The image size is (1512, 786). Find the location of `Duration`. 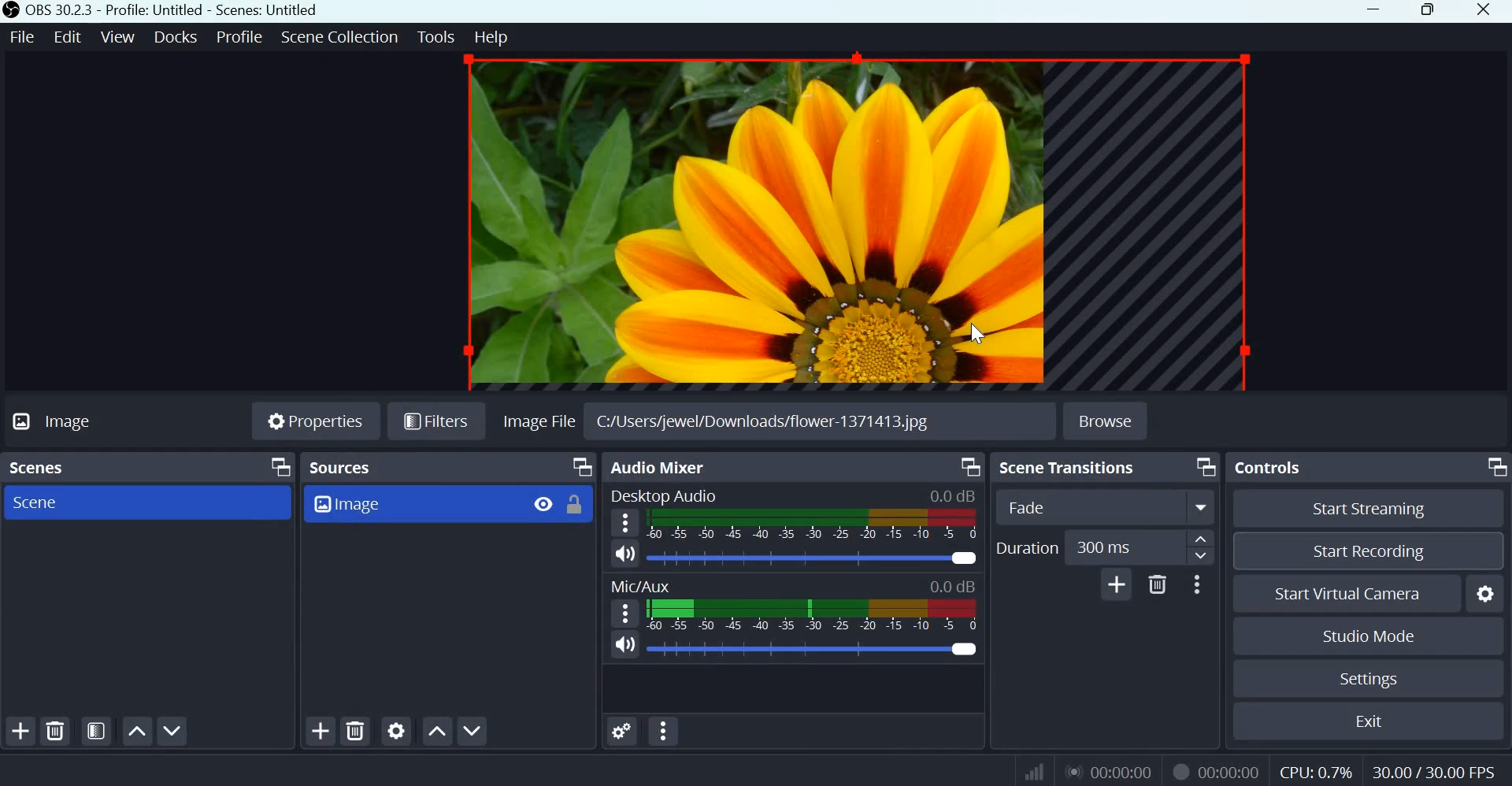

Duration is located at coordinates (1028, 548).